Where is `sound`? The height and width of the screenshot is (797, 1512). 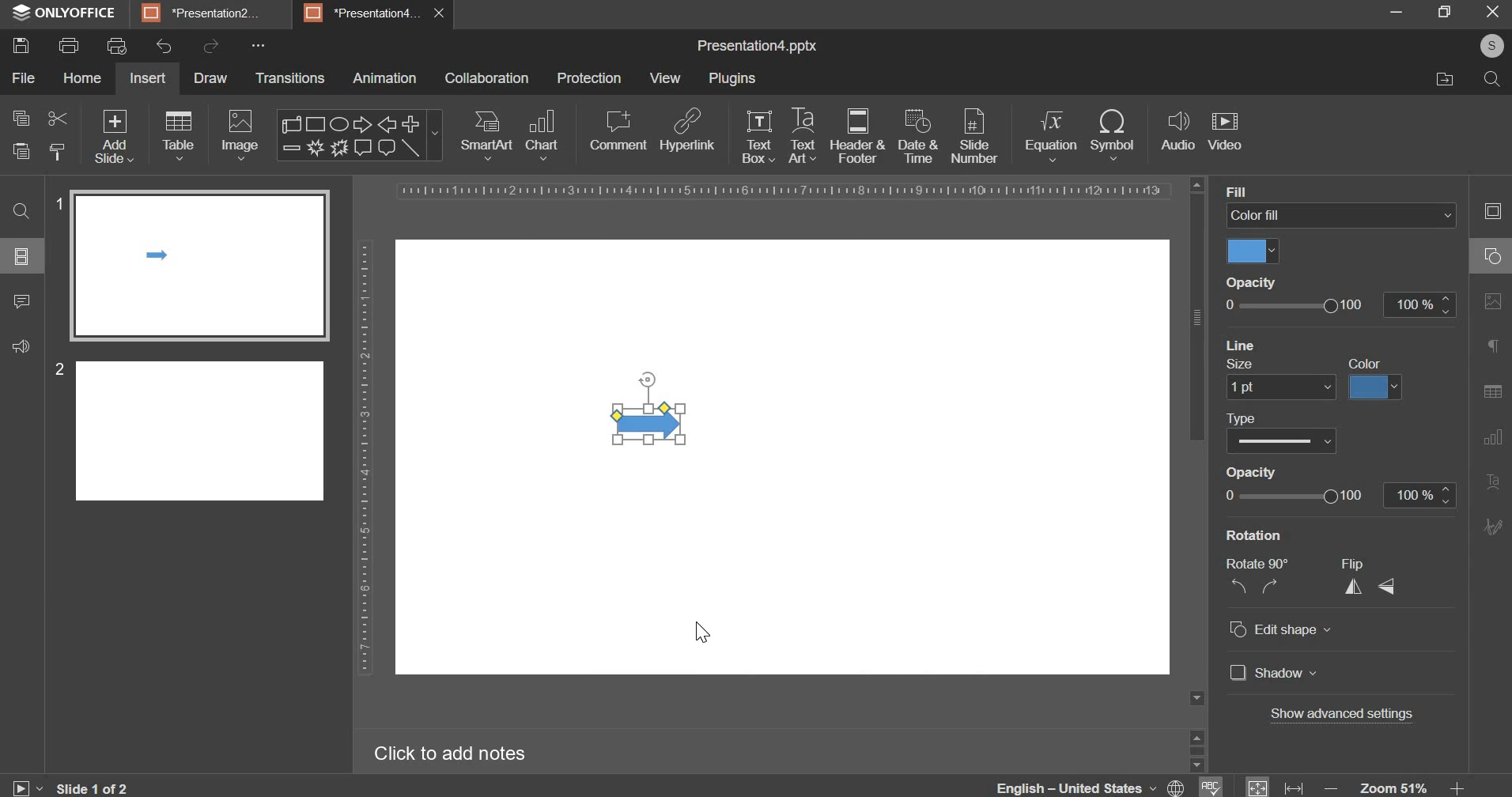
sound is located at coordinates (21, 349).